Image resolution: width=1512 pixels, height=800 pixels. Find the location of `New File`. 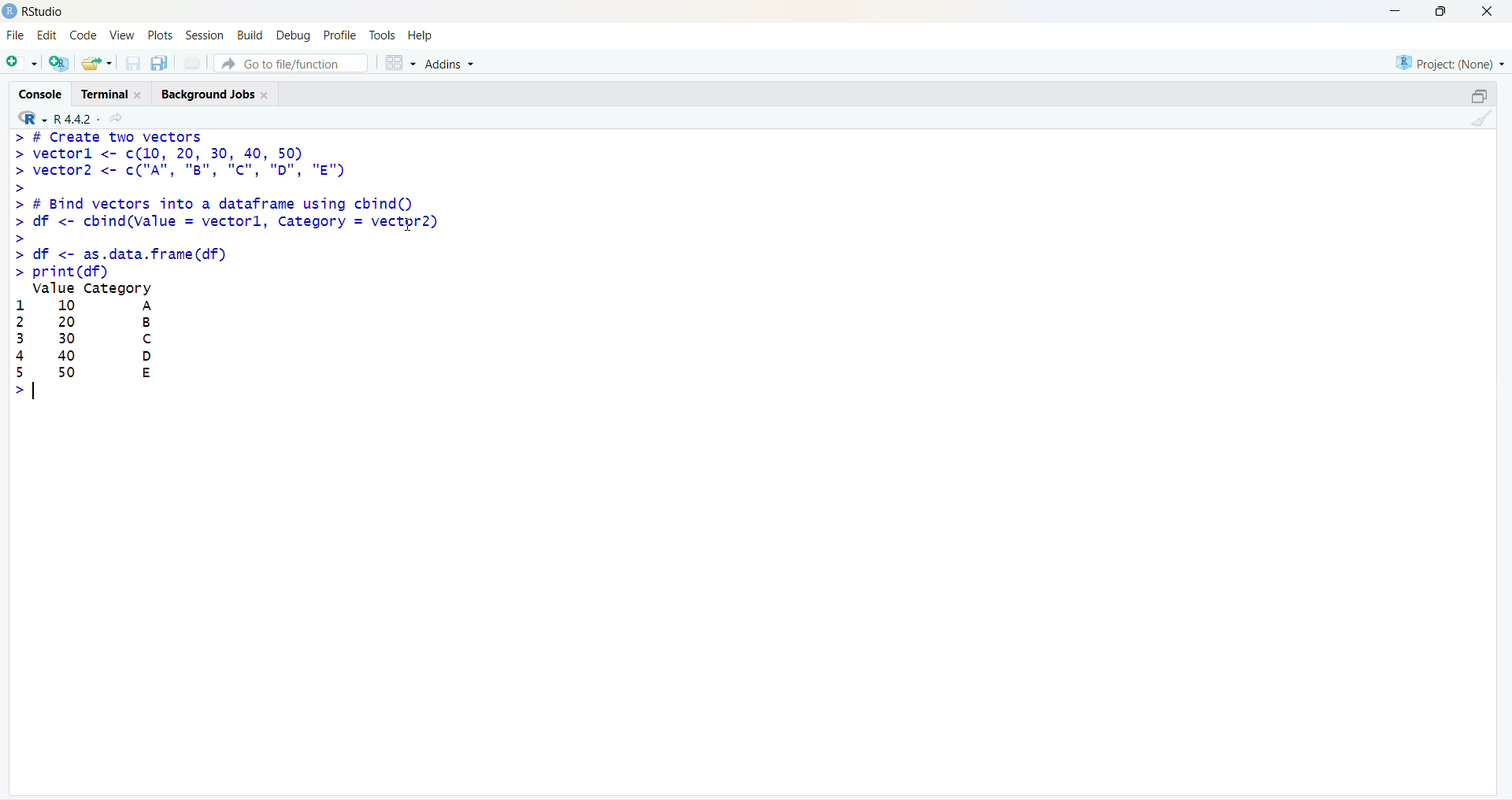

New File is located at coordinates (21, 64).